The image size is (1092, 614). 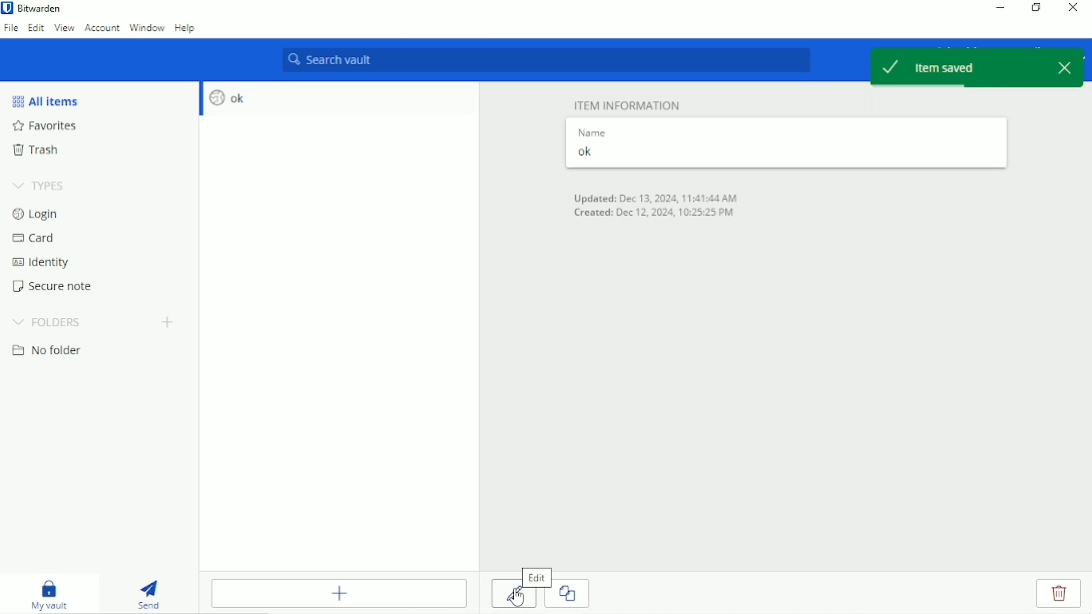 I want to click on ok, so click(x=782, y=152).